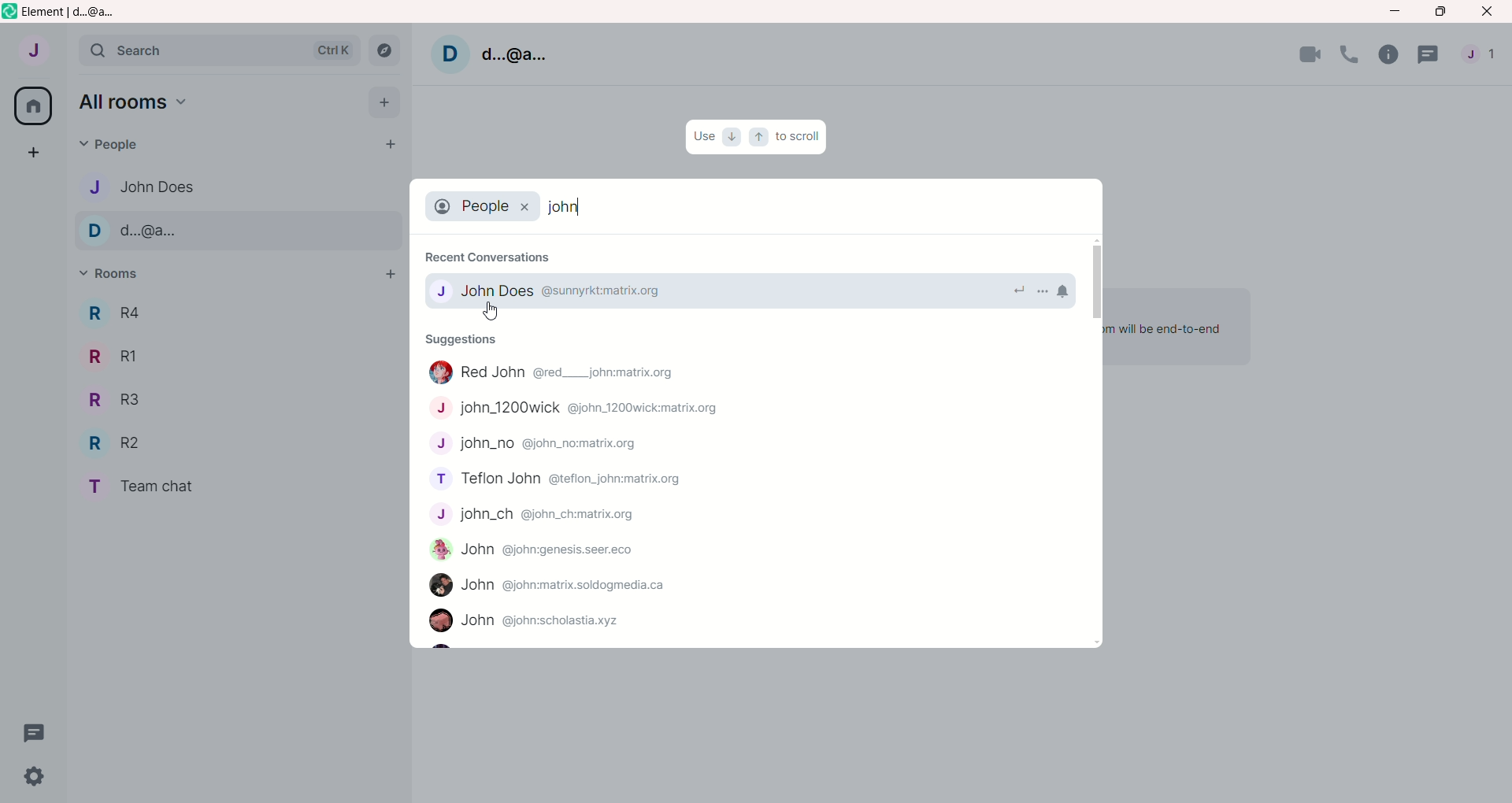 This screenshot has height=803, width=1512. Describe the element at coordinates (757, 136) in the screenshot. I see `up arrow` at that location.